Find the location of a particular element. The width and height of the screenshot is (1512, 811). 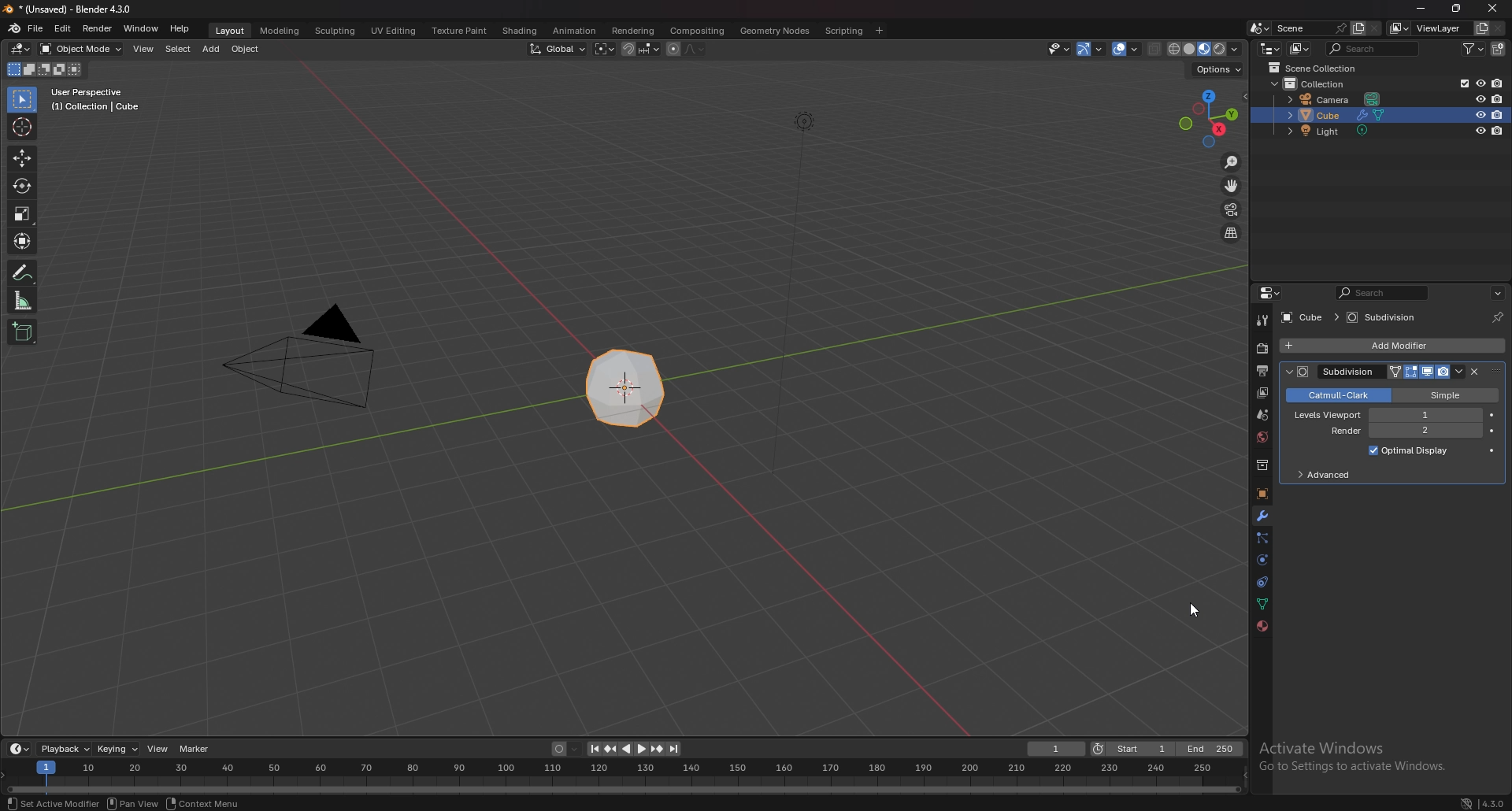

render is located at coordinates (1399, 431).